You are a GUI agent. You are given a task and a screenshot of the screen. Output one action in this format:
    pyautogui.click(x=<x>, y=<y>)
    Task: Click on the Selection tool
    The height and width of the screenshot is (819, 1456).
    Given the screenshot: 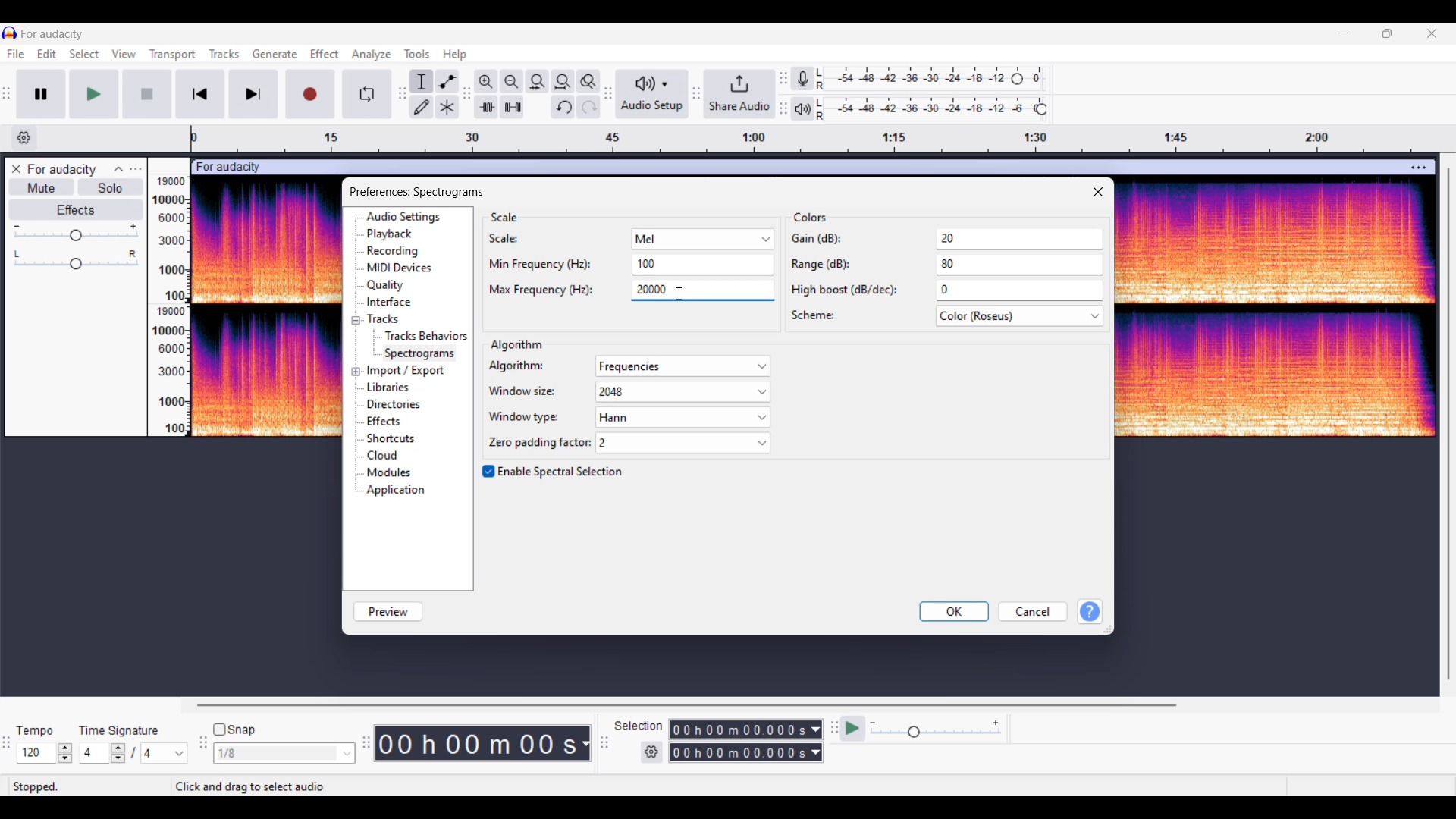 What is the action you would take?
    pyautogui.click(x=422, y=82)
    